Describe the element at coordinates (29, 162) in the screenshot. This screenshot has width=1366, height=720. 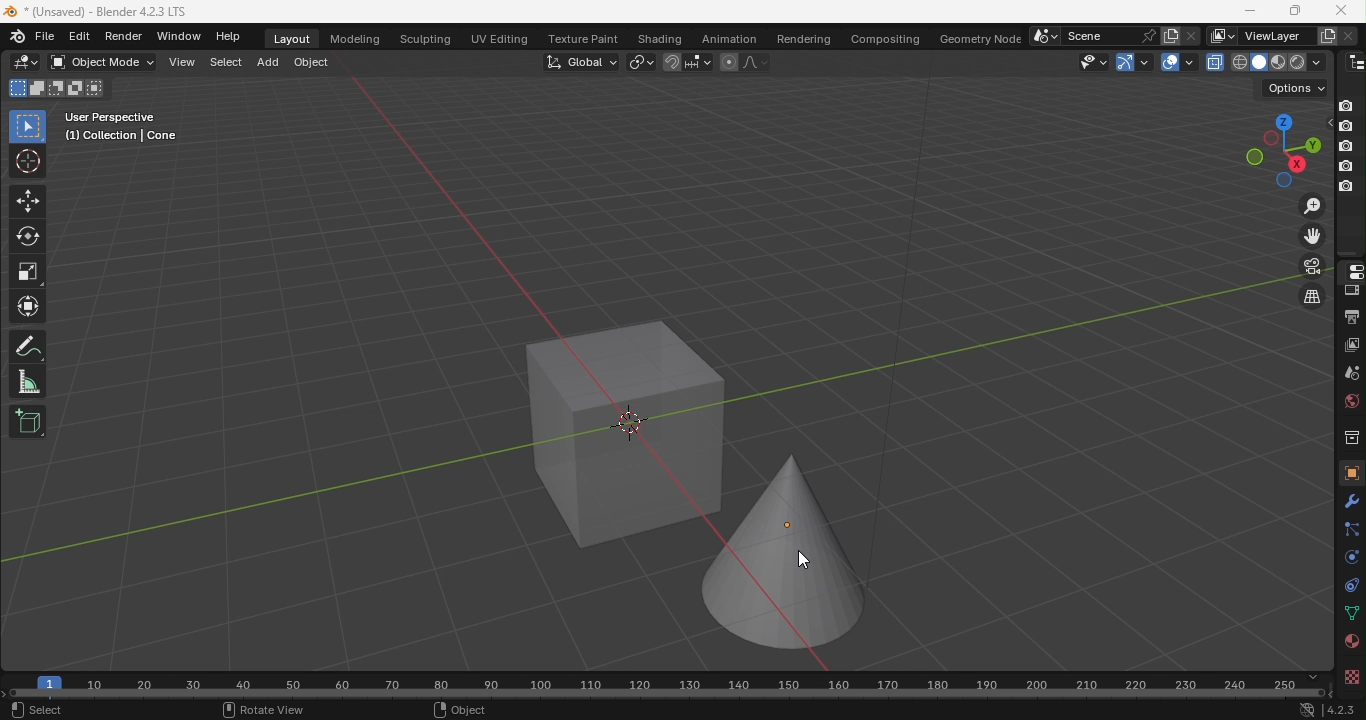
I see `Cursor` at that location.